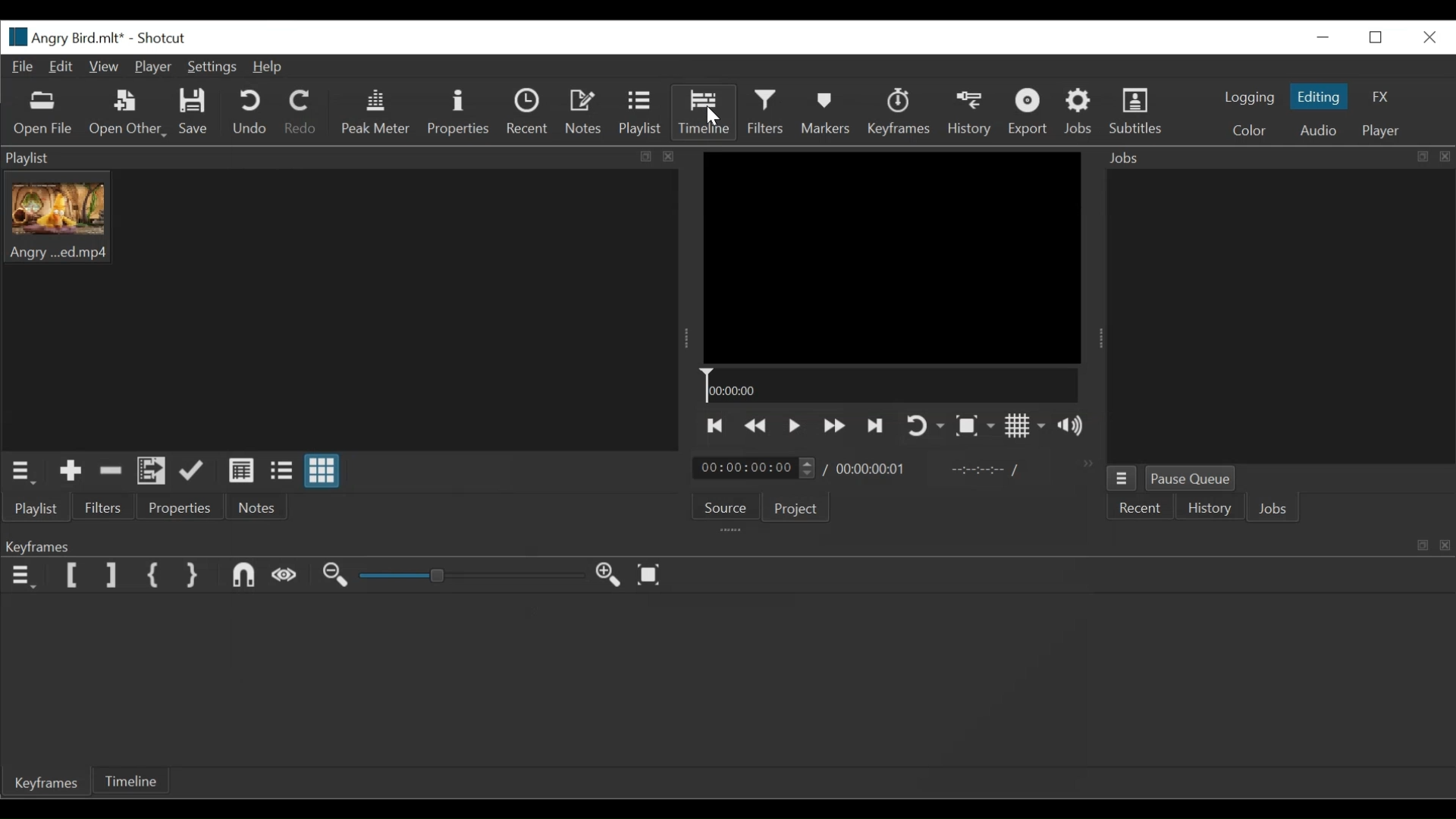 Image resolution: width=1456 pixels, height=819 pixels. I want to click on Scrub while dragging, so click(284, 576).